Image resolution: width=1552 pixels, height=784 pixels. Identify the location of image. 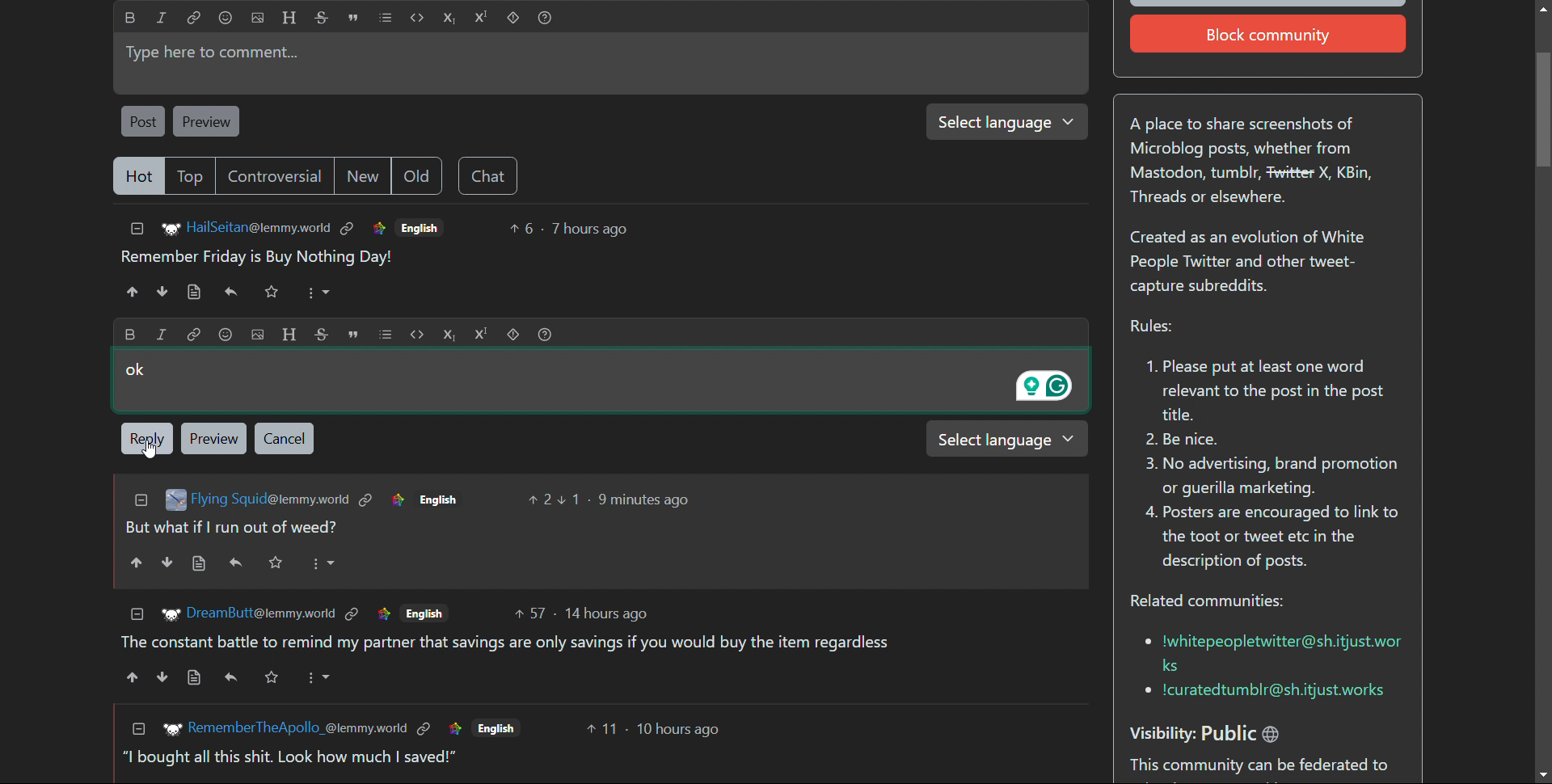
(171, 611).